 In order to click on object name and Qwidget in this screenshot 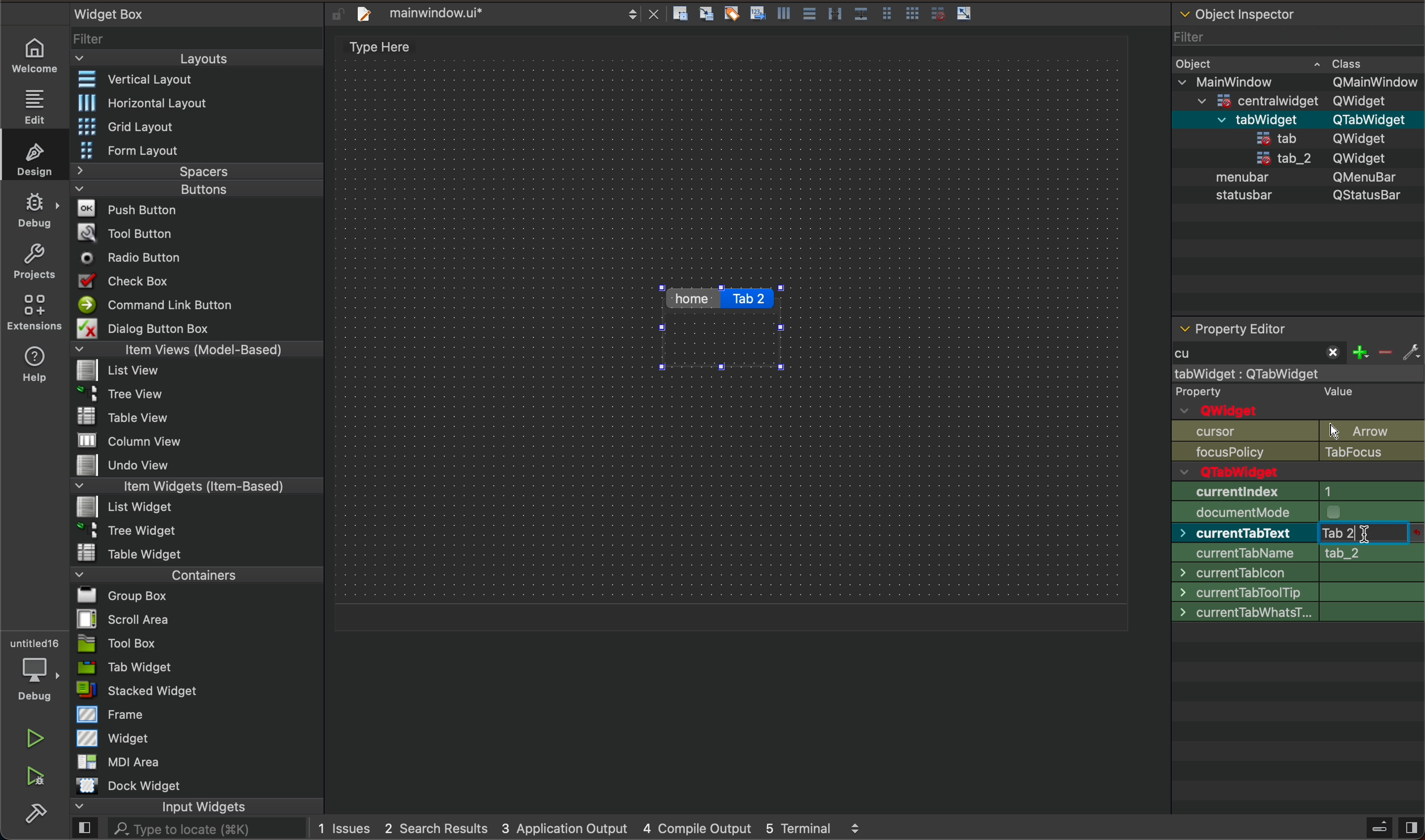, I will do `click(1303, 440)`.